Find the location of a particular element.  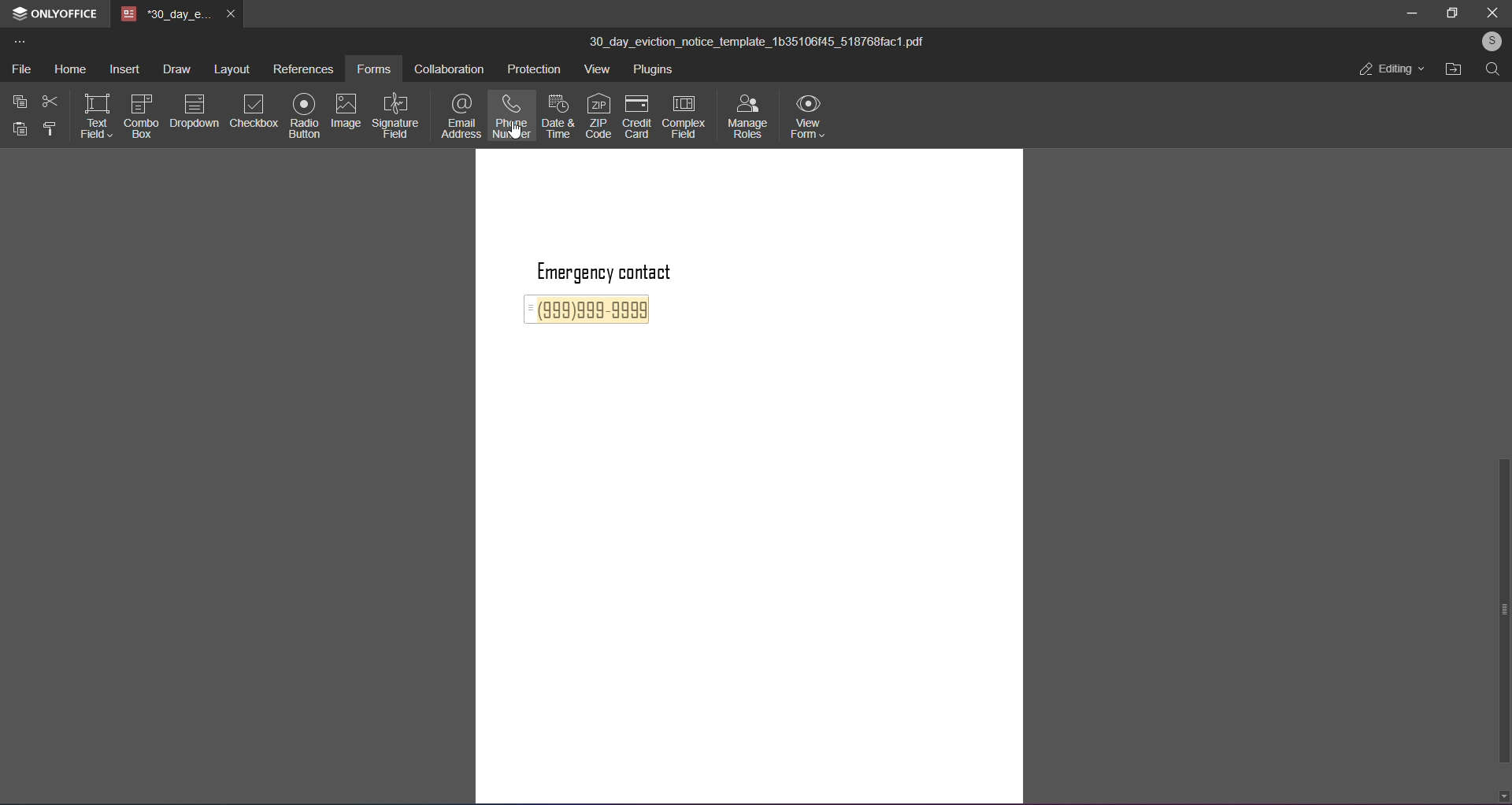

dropdown is located at coordinates (196, 111).